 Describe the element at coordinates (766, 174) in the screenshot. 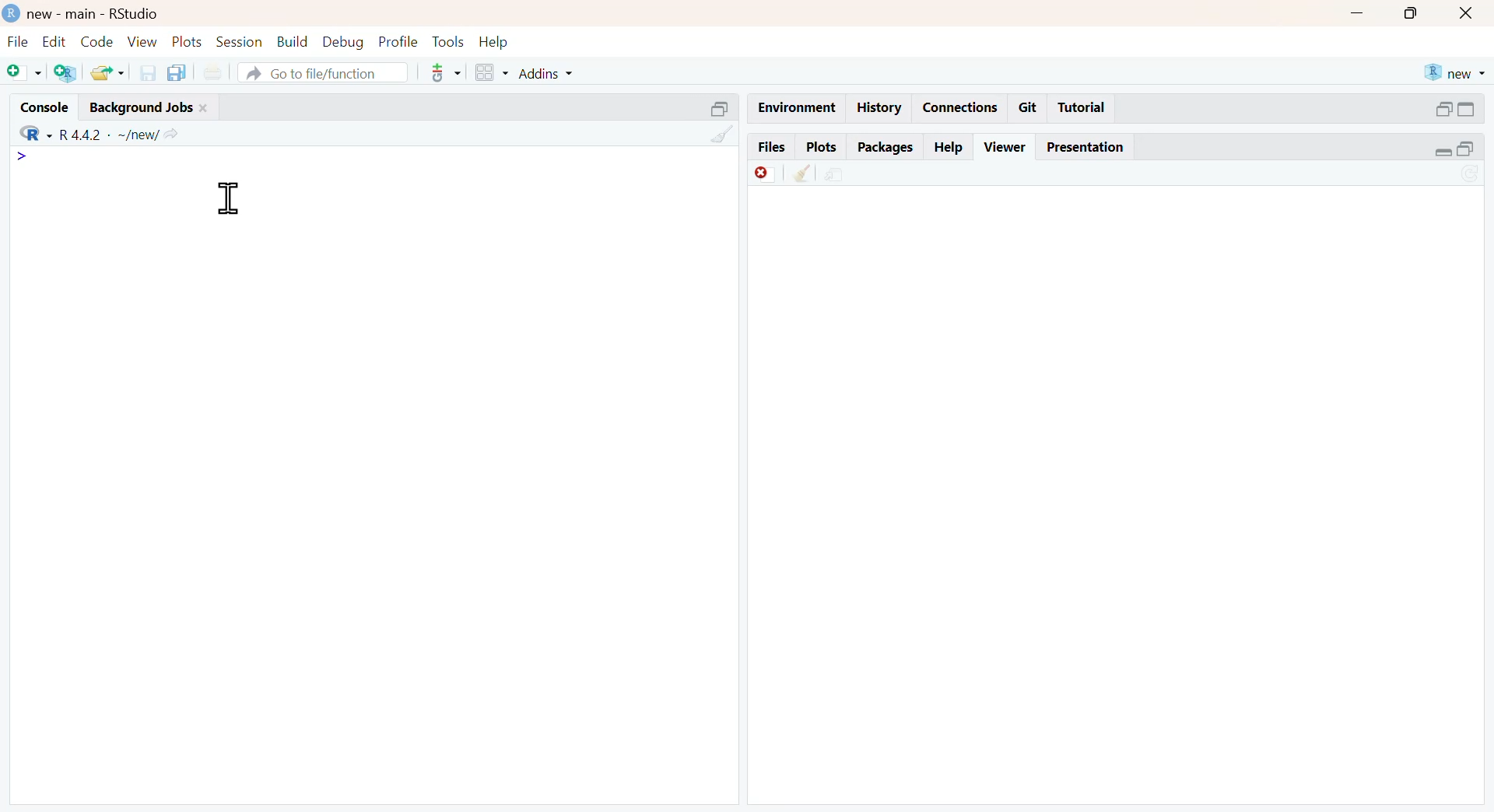

I see `discard` at that location.